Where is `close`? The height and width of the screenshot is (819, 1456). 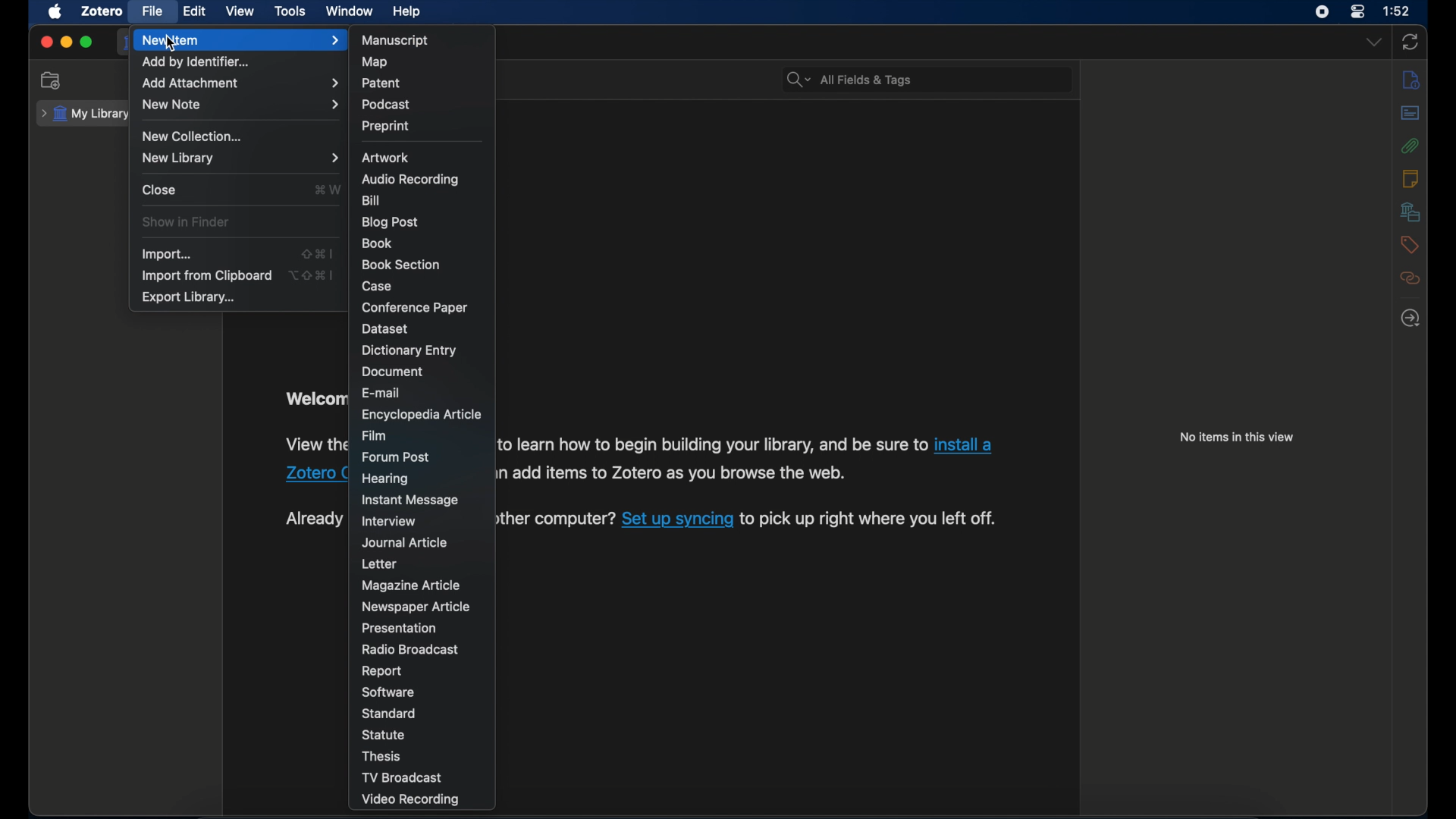 close is located at coordinates (46, 42).